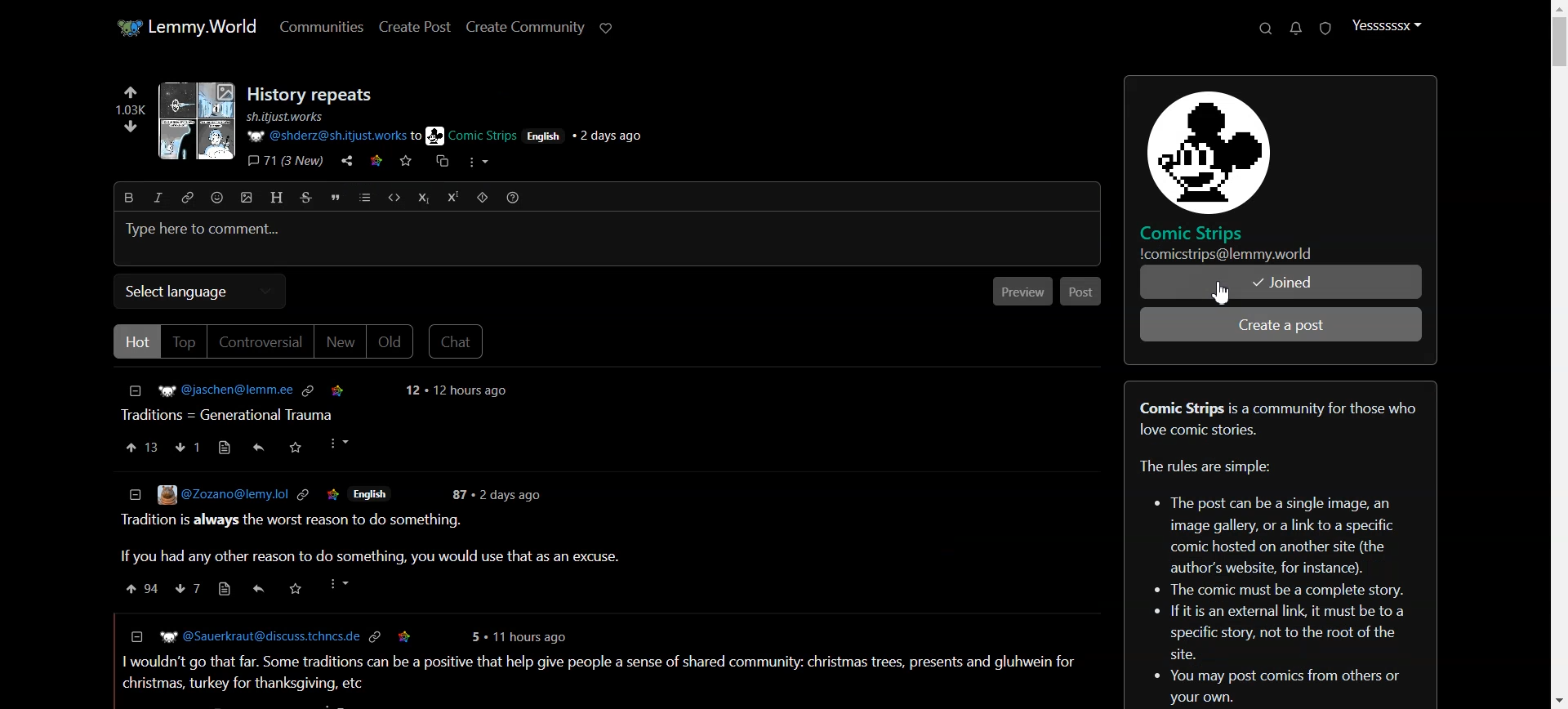 This screenshot has height=709, width=1568. Describe the element at coordinates (310, 389) in the screenshot. I see `Link` at that location.